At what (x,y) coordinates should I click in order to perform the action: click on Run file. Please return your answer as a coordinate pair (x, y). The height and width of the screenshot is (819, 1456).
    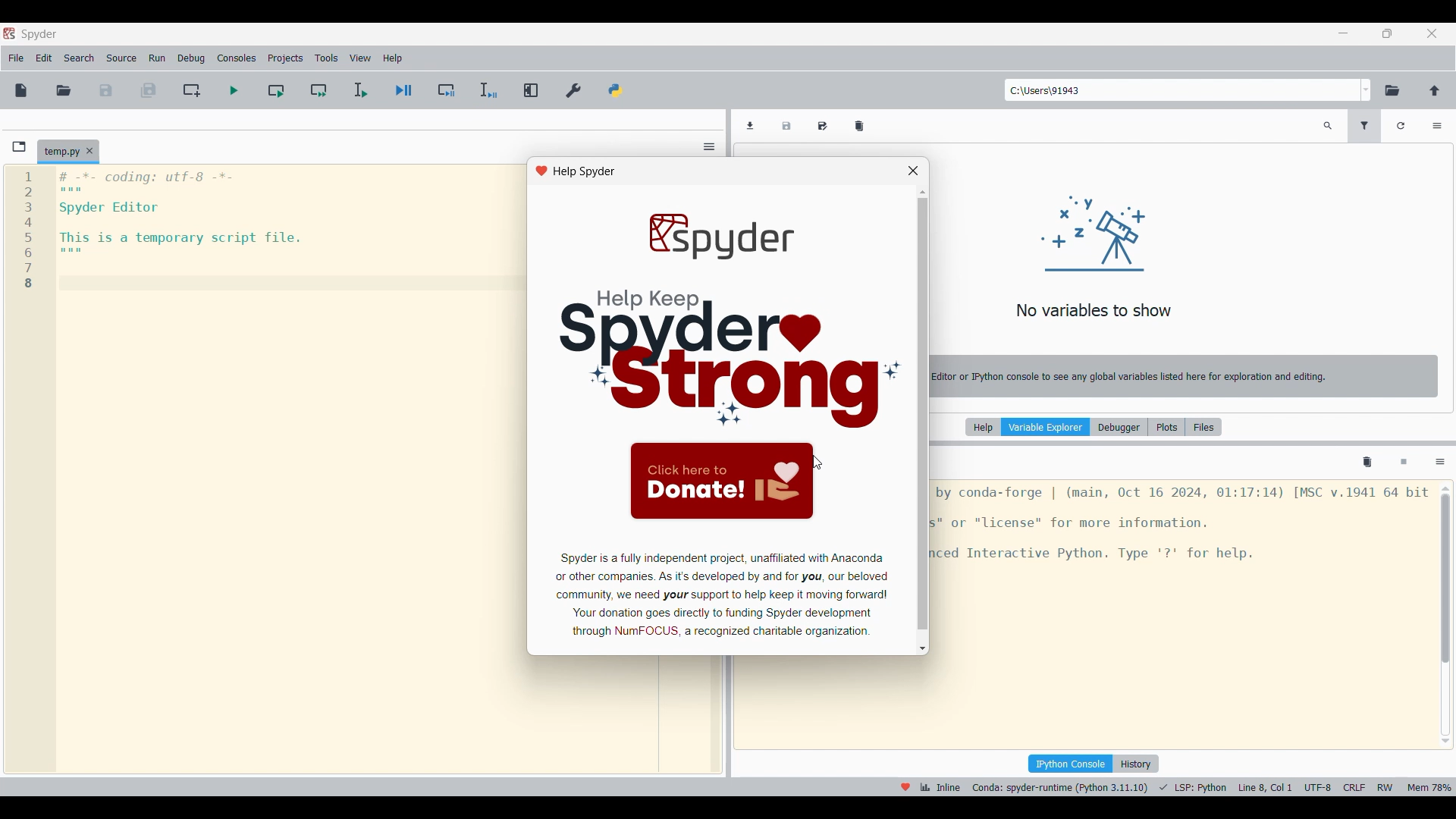
    Looking at the image, I should click on (234, 90).